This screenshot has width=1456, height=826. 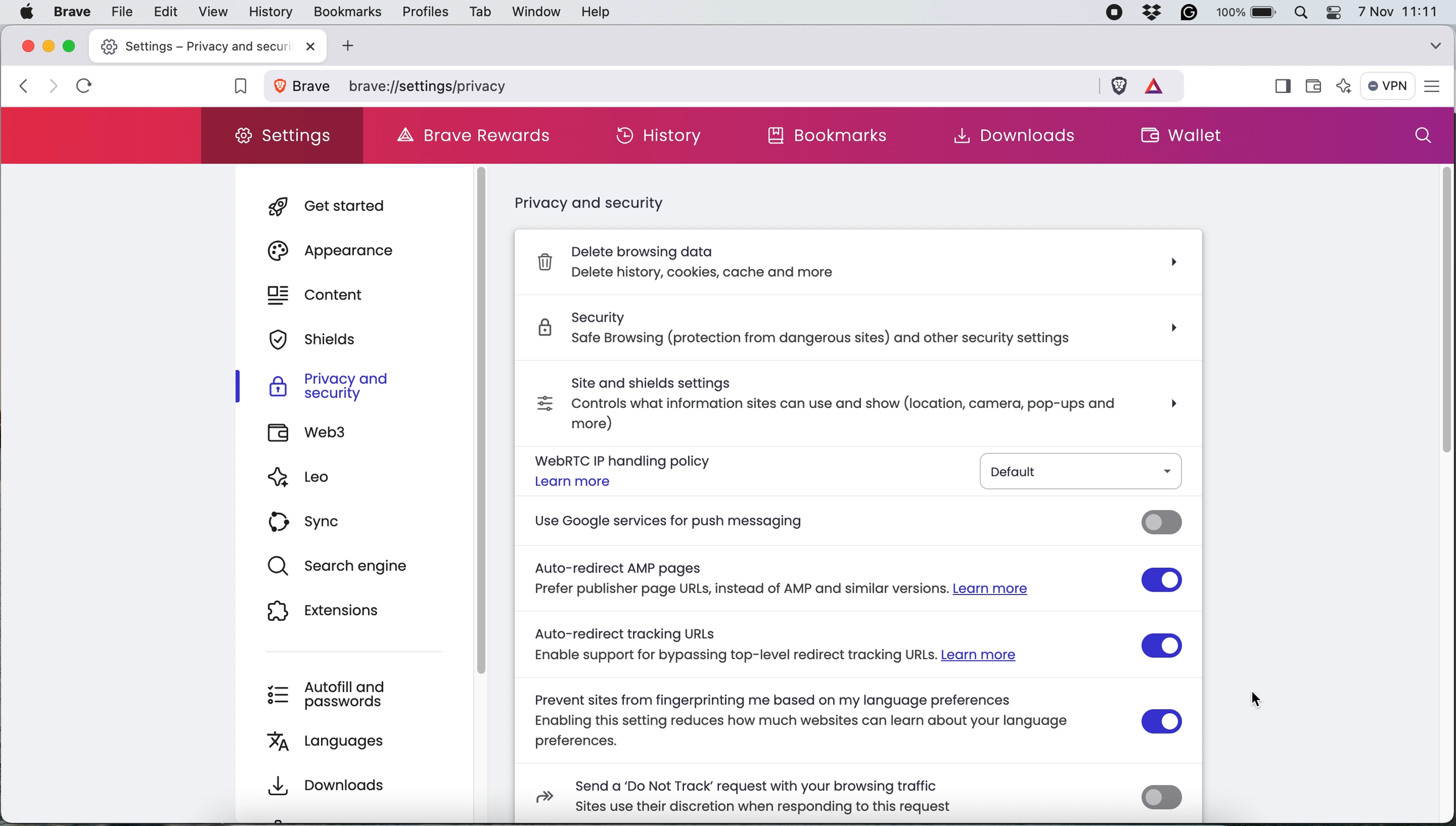 What do you see at coordinates (73, 12) in the screenshot?
I see `brave` at bounding box center [73, 12].